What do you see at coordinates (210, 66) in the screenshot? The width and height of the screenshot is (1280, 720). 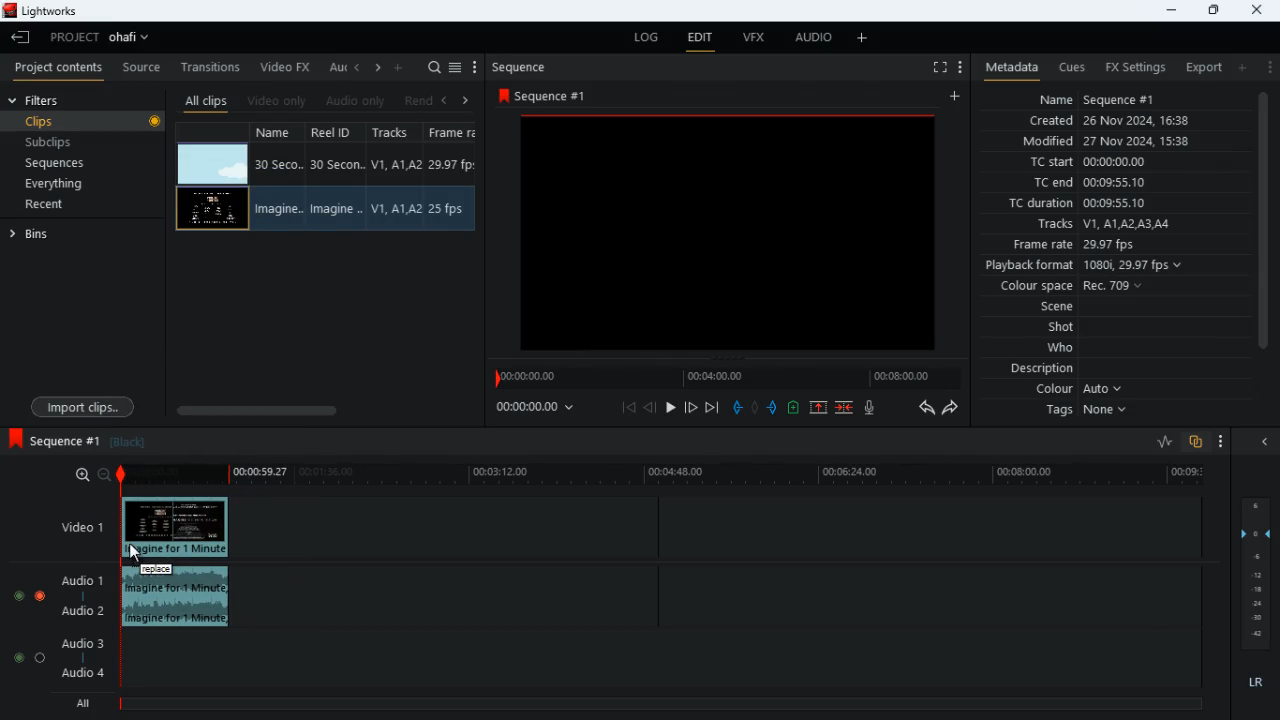 I see `transitions` at bounding box center [210, 66].